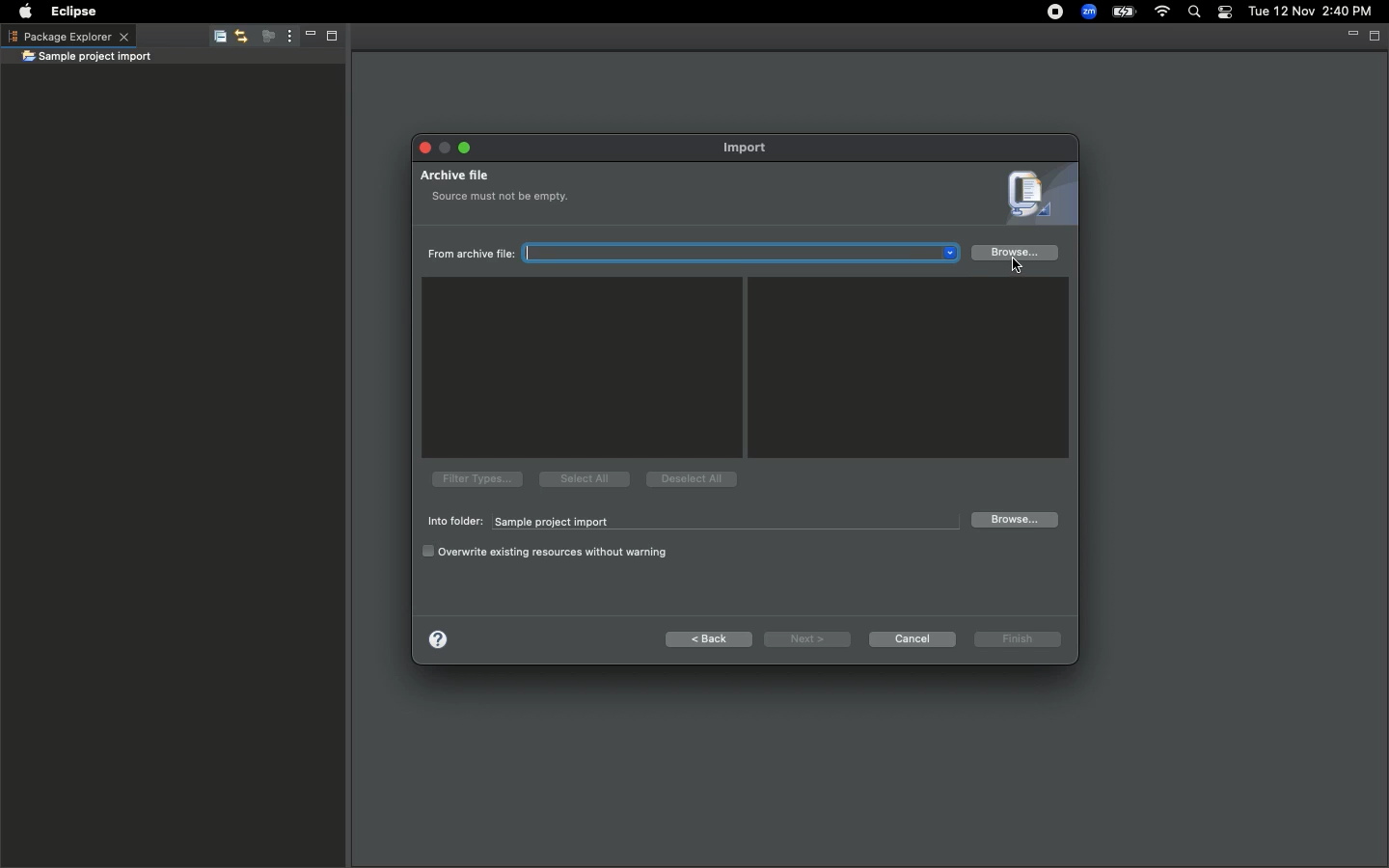  I want to click on close, so click(422, 149).